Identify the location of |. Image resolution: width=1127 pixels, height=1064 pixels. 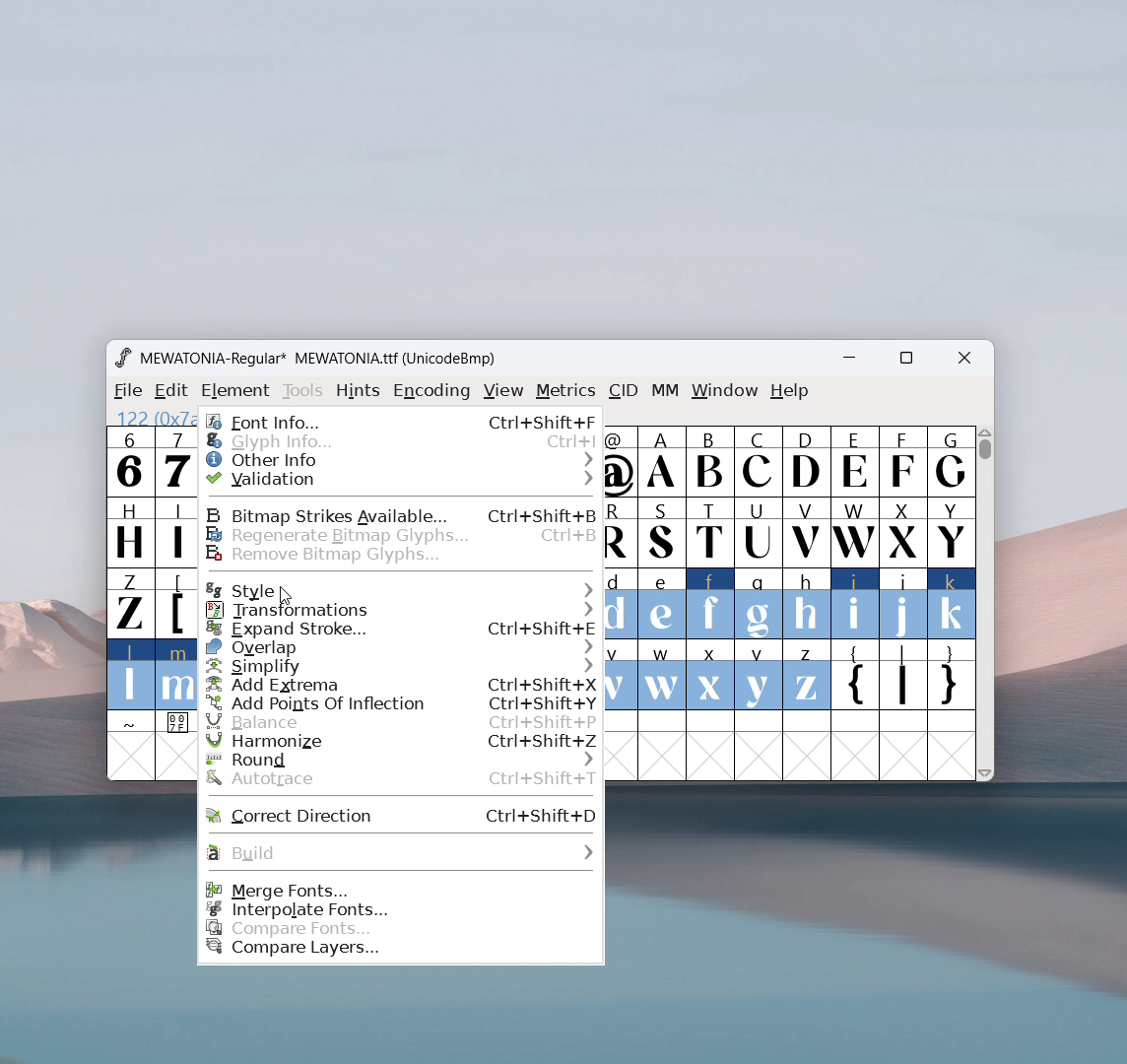
(903, 677).